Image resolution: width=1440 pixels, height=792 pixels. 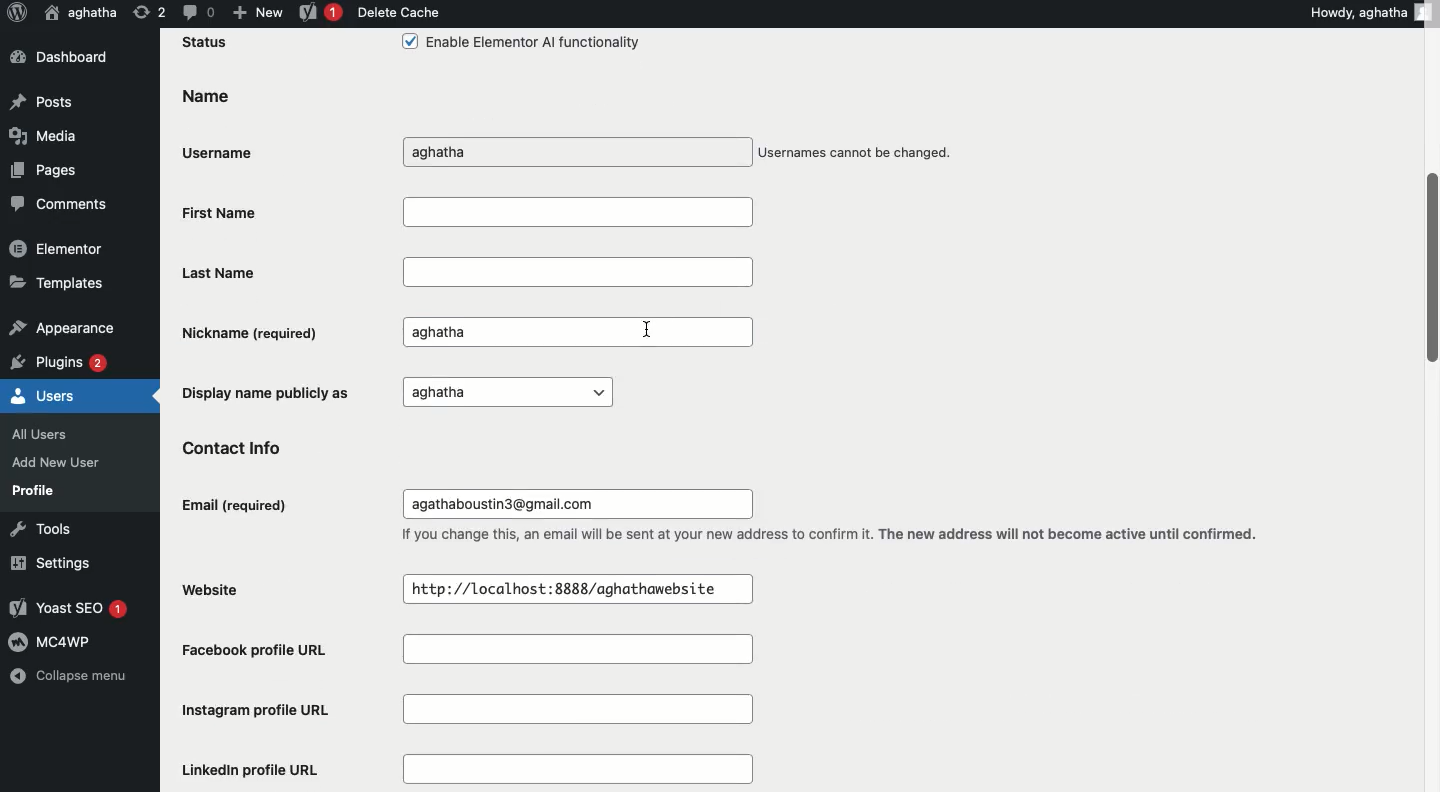 I want to click on Name, so click(x=204, y=97).